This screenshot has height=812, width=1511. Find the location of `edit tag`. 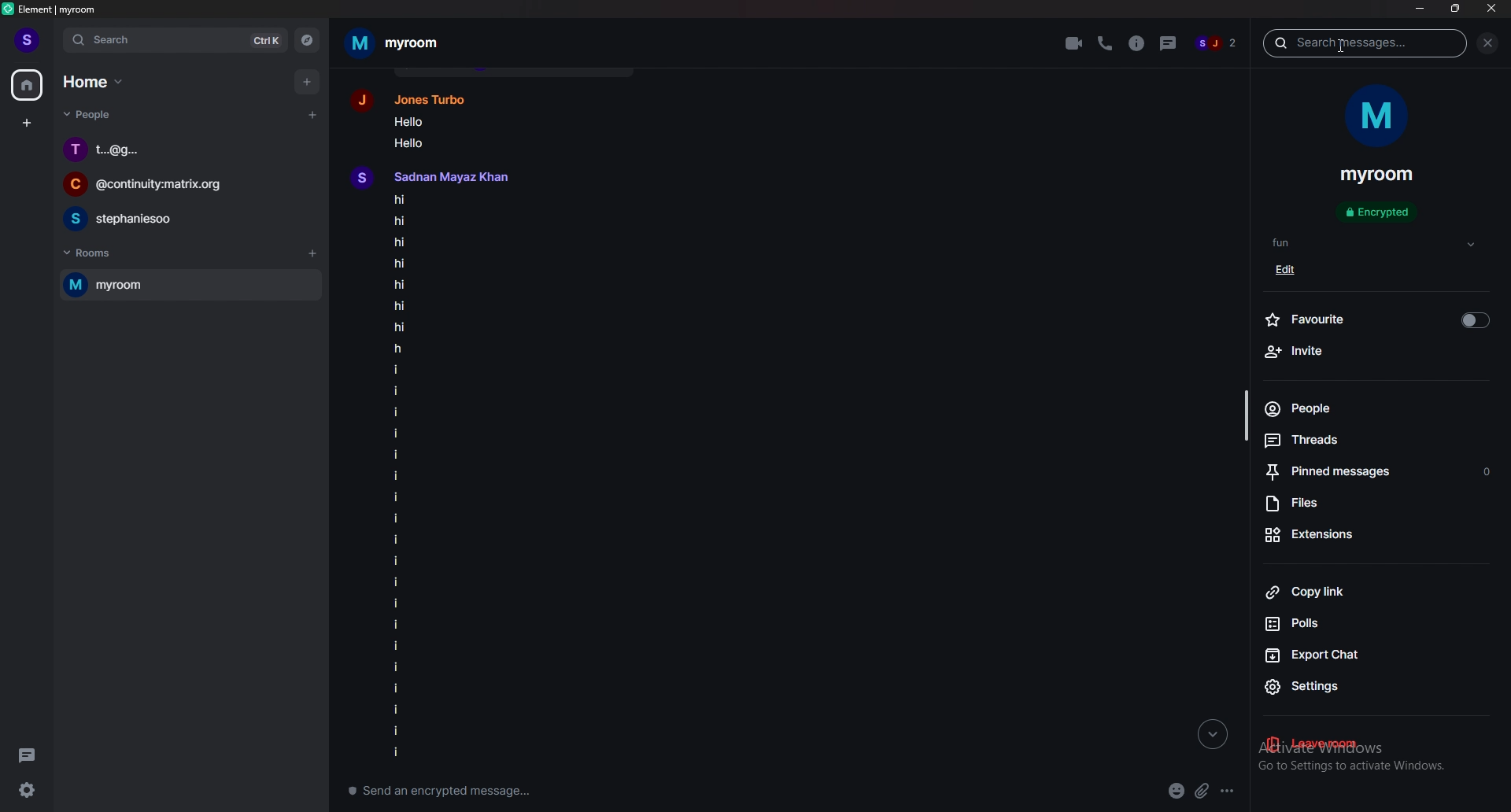

edit tag is located at coordinates (1305, 269).